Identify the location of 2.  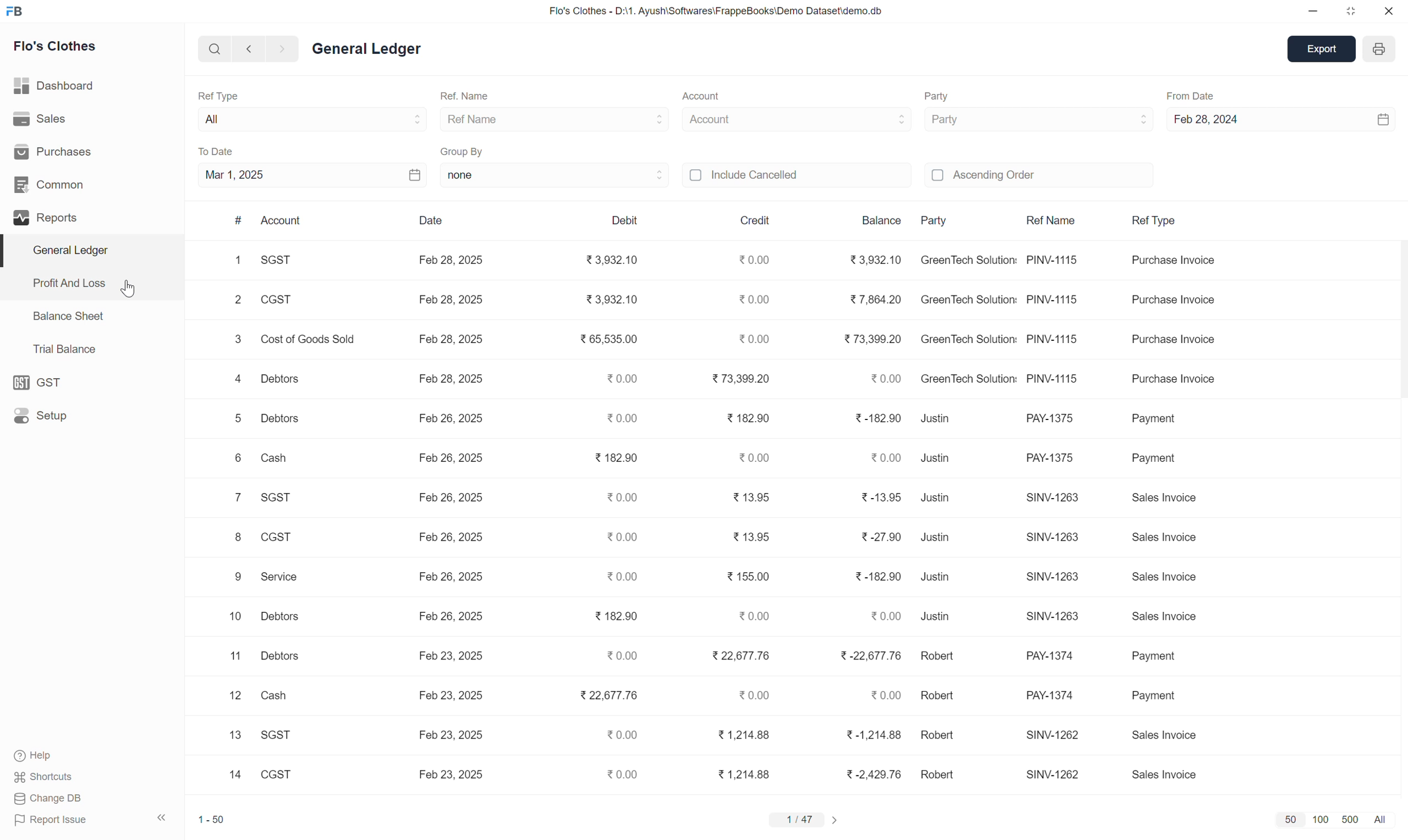
(236, 301).